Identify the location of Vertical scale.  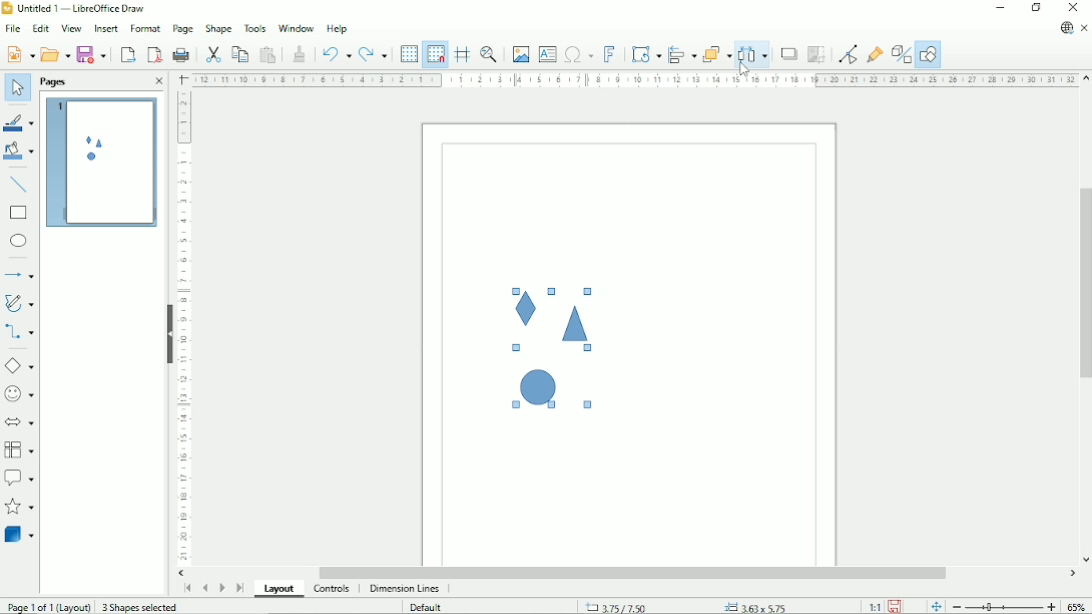
(184, 328).